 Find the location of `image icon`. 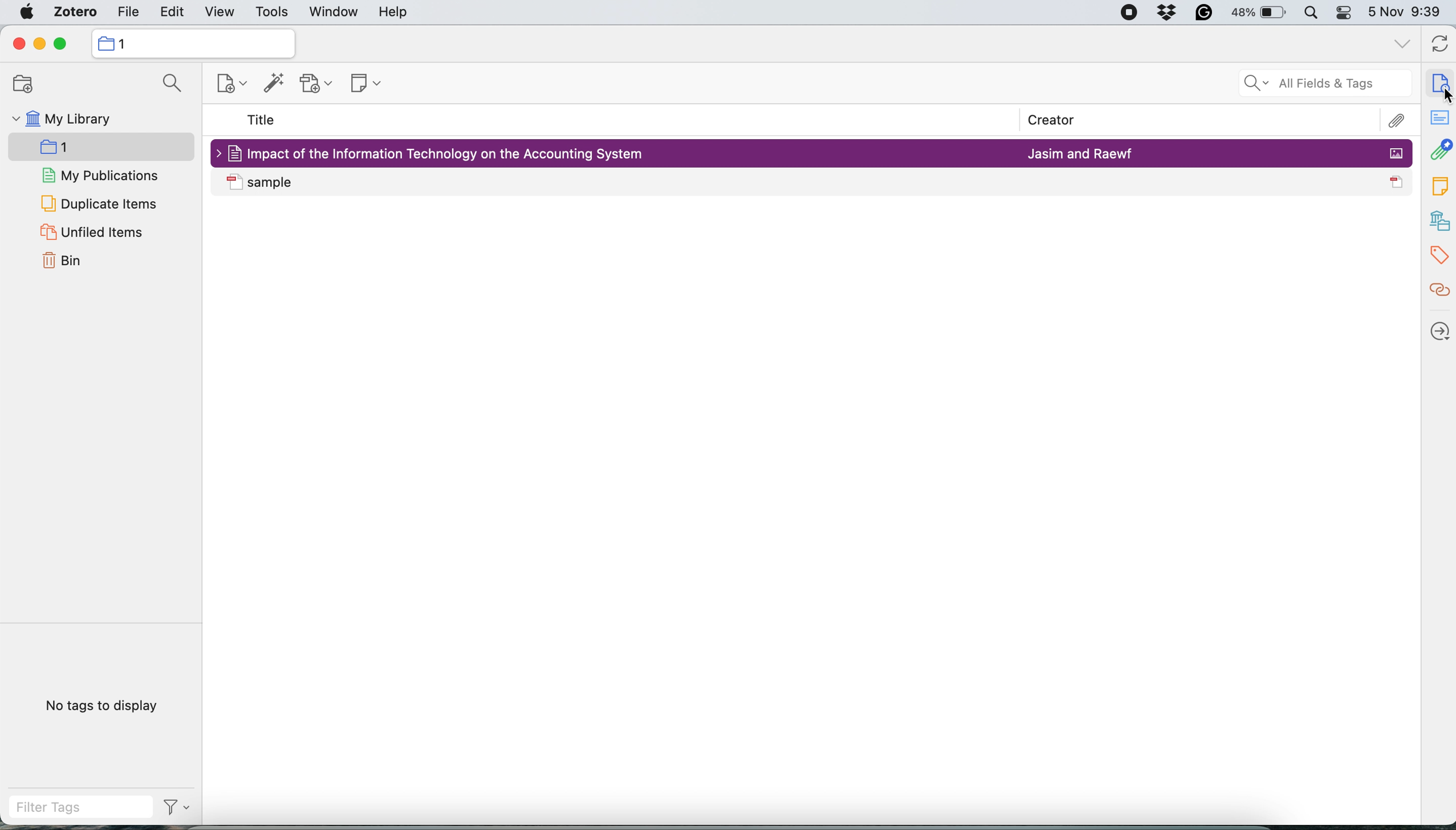

image icon is located at coordinates (1396, 153).